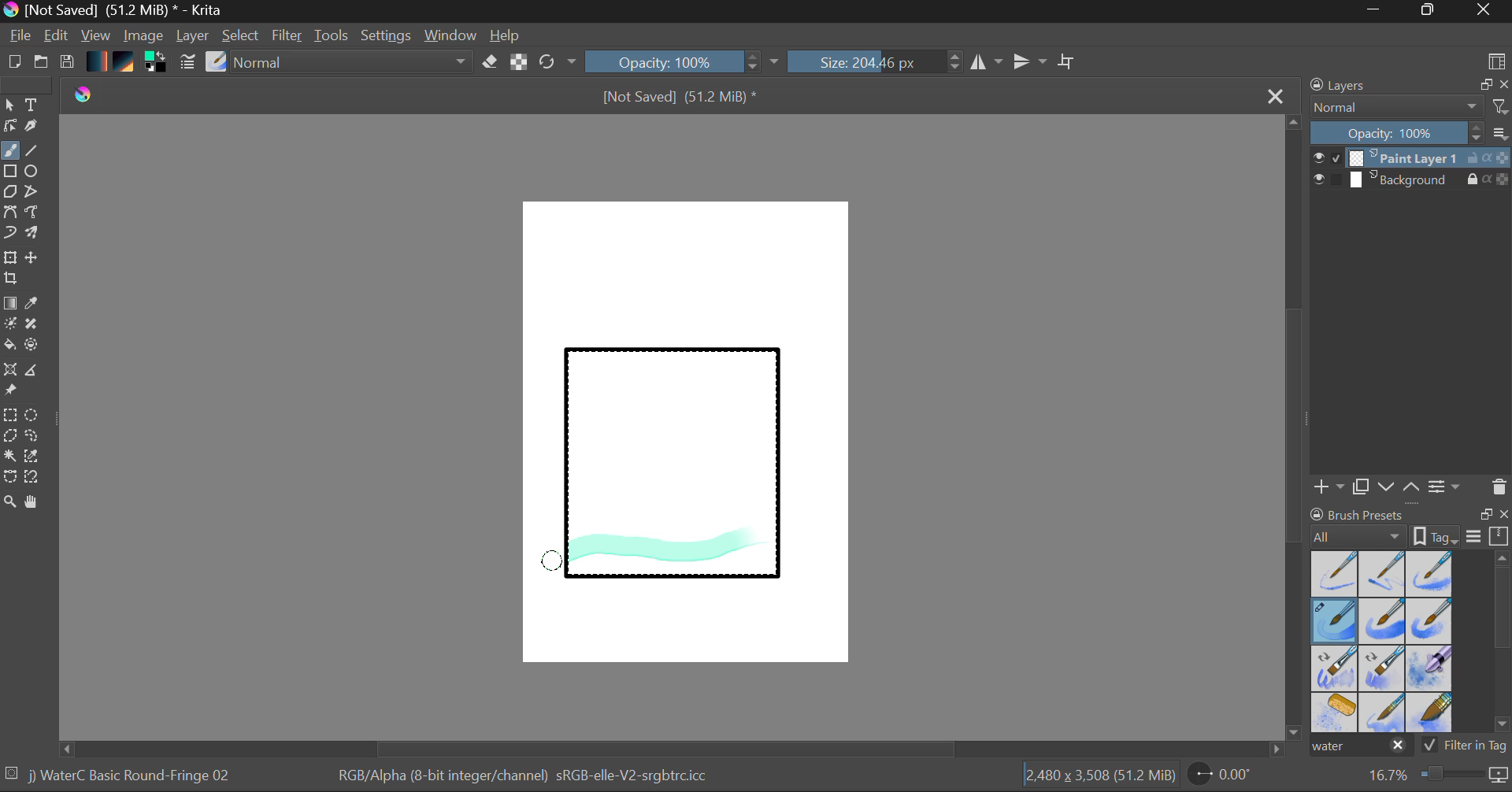  What do you see at coordinates (1410, 525) in the screenshot?
I see `Brush presets docket` at bounding box center [1410, 525].